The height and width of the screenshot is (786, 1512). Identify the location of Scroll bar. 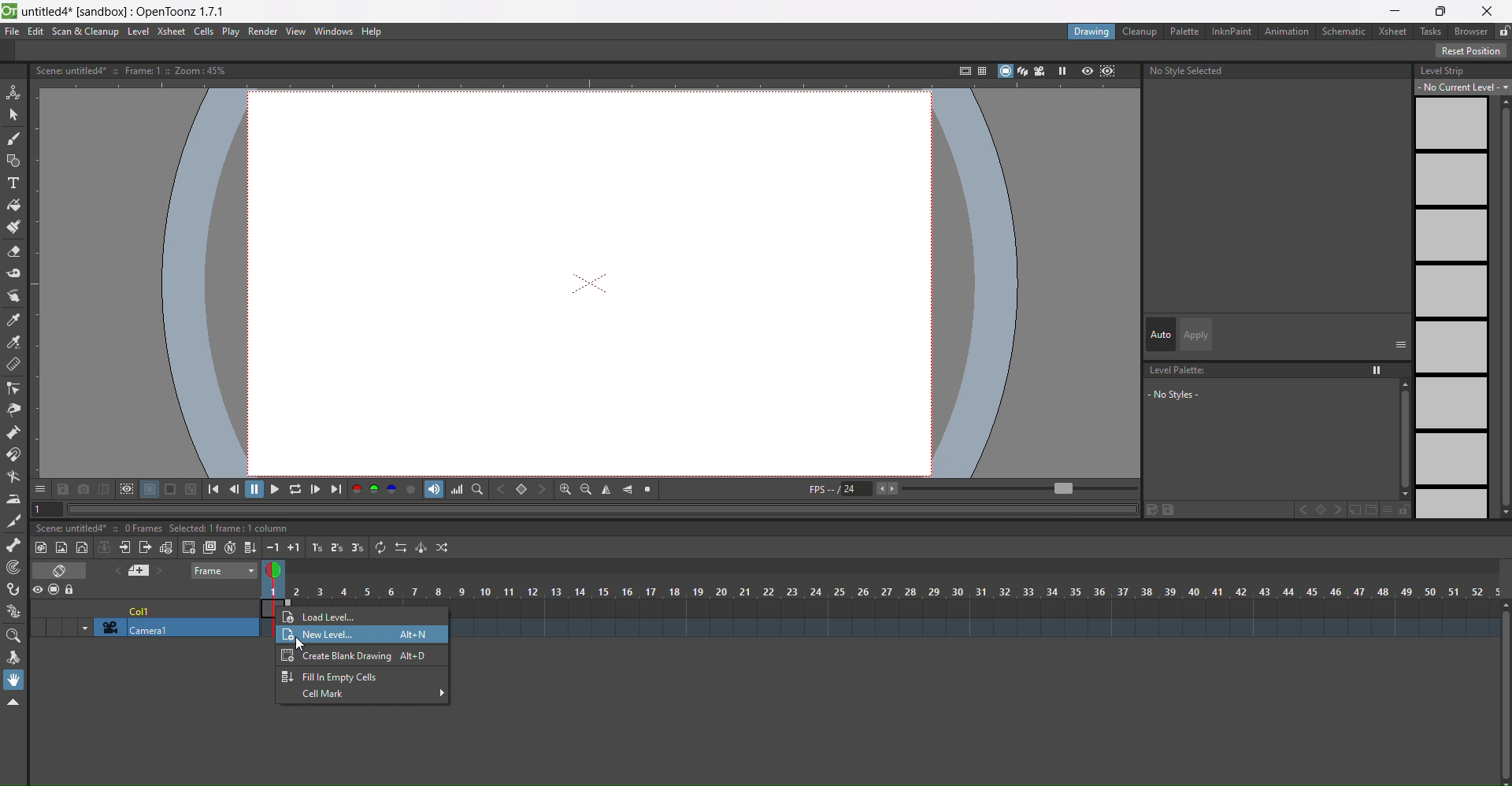
(1503, 693).